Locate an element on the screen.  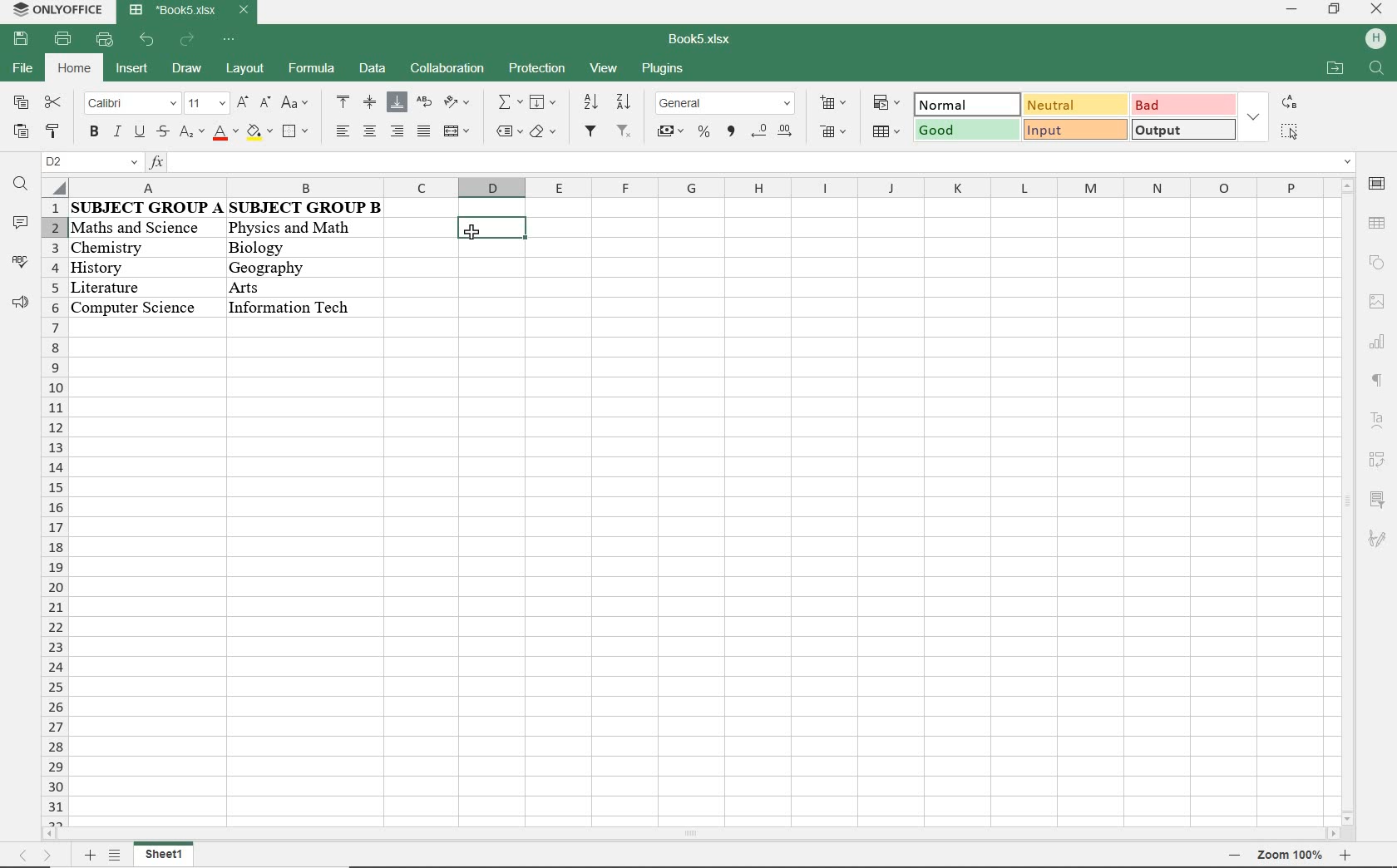
draw is located at coordinates (186, 68).